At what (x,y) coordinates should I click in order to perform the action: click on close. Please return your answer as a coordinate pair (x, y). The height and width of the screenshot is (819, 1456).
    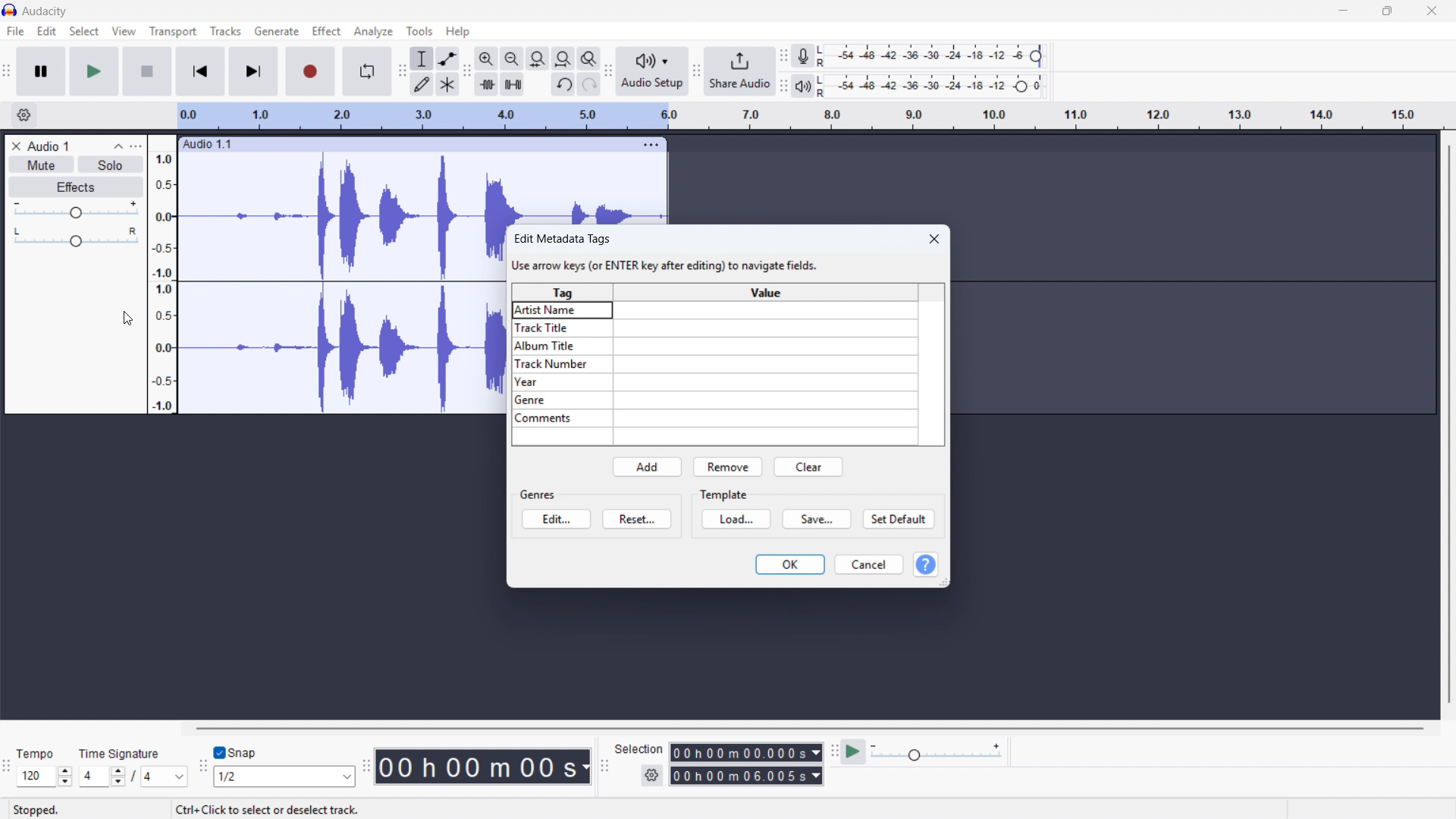
    Looking at the image, I should click on (1430, 11).